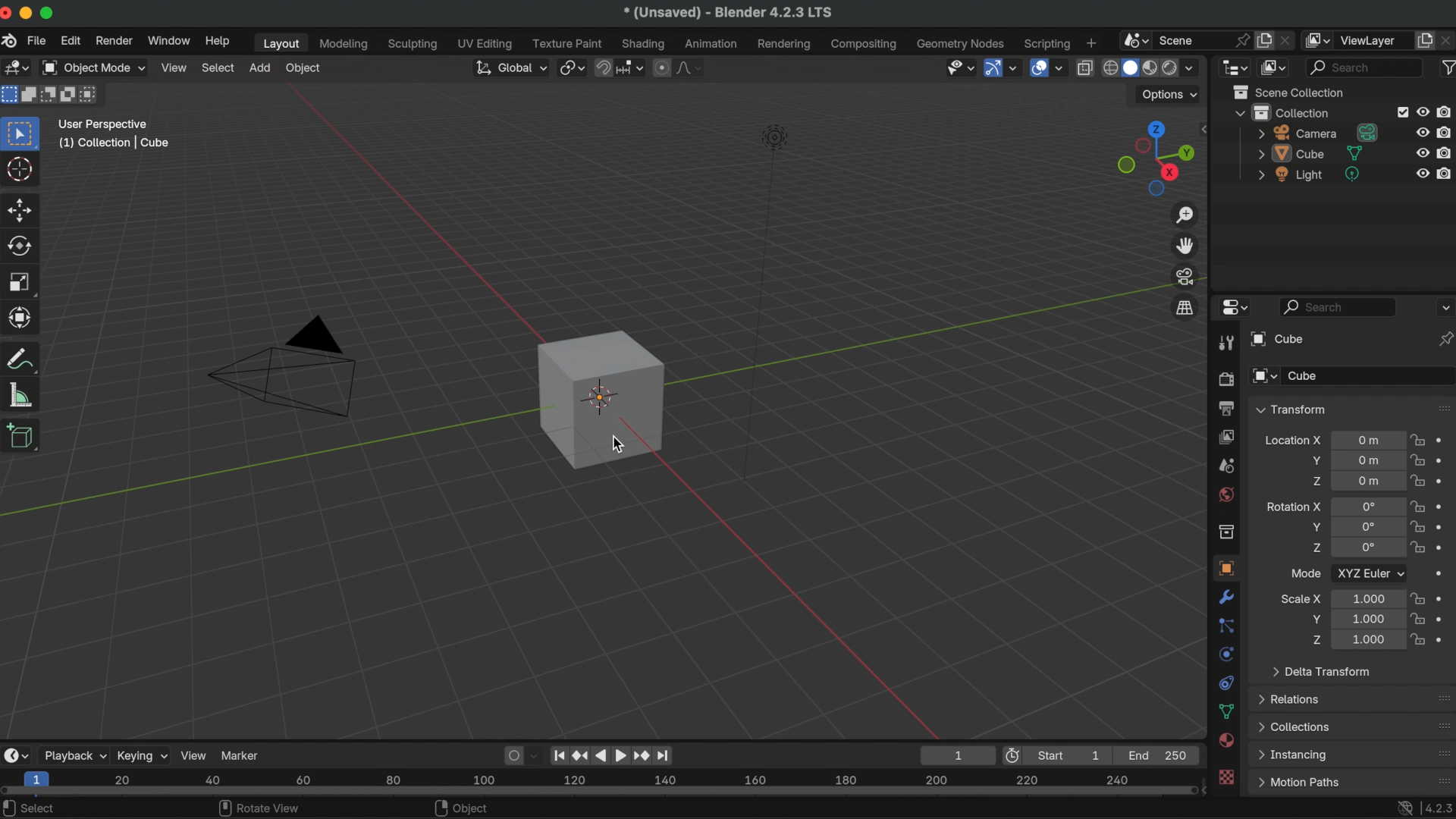 The height and width of the screenshot is (819, 1456). Describe the element at coordinates (1227, 626) in the screenshot. I see `particles` at that location.